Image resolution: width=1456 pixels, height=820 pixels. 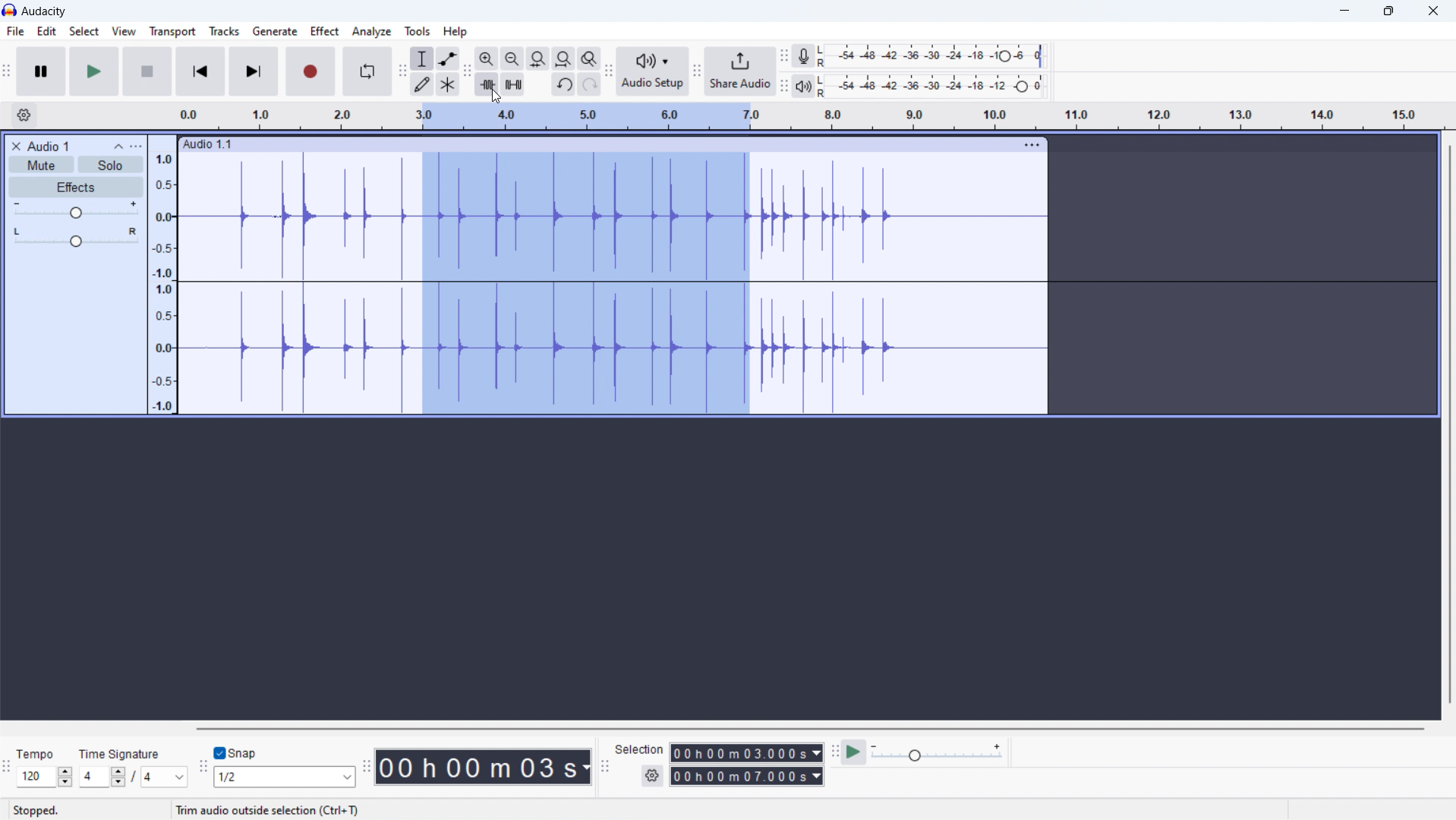 I want to click on time signature toolbar, so click(x=7, y=769).